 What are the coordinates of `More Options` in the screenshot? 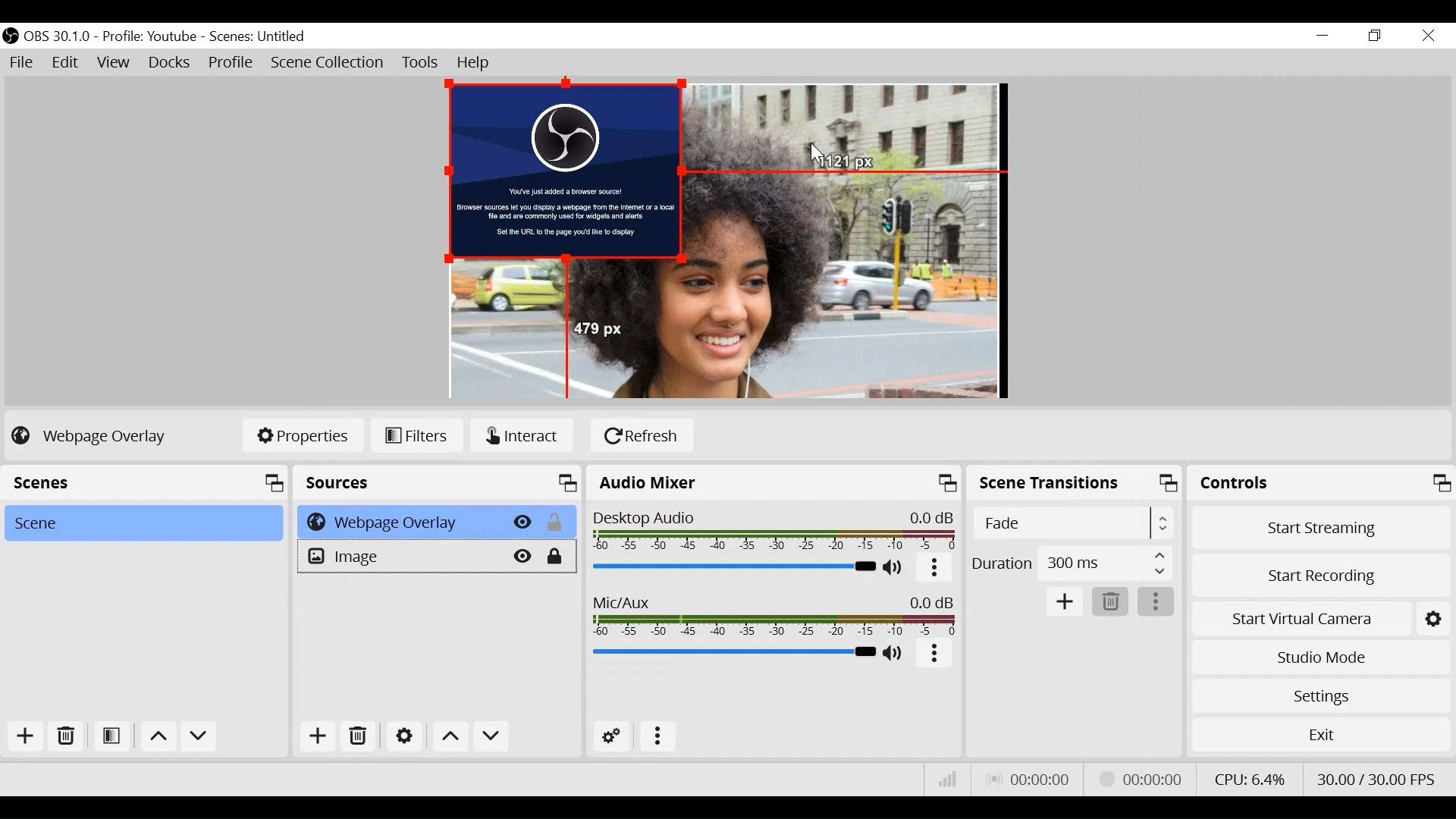 It's located at (937, 656).